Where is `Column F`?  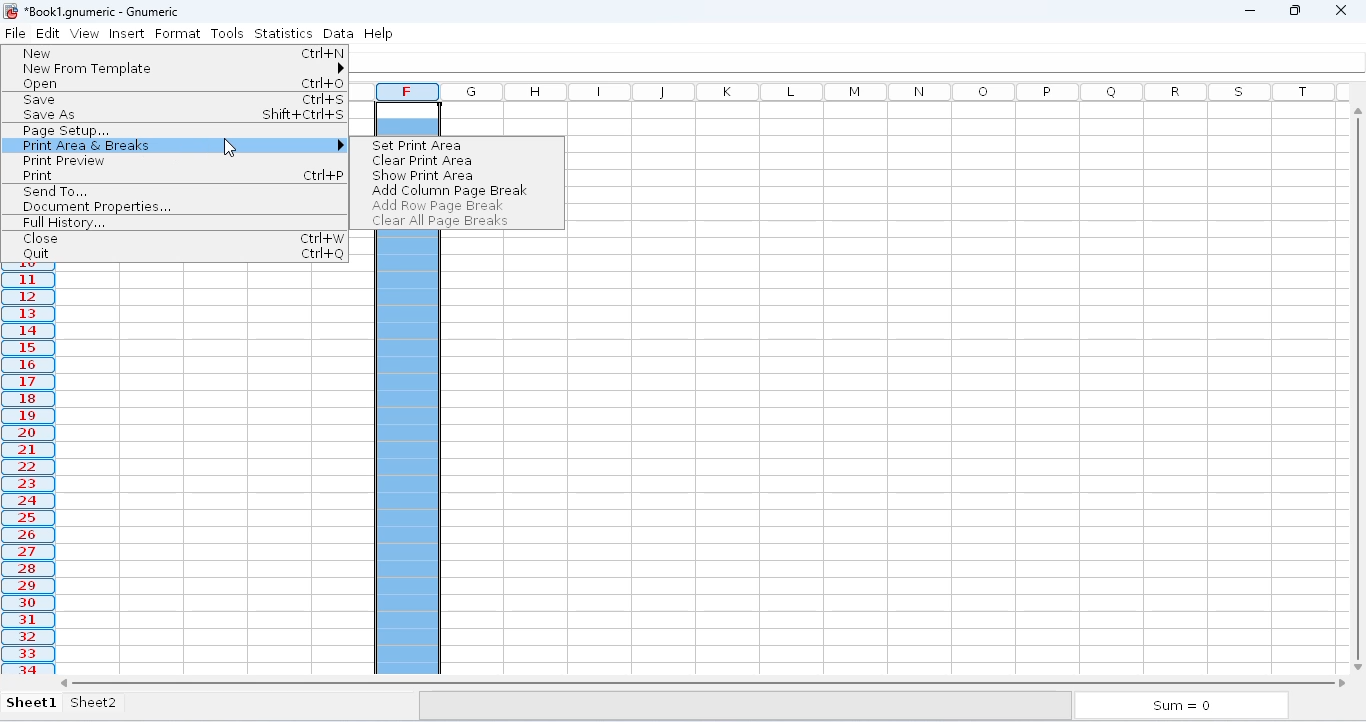 Column F is located at coordinates (408, 91).